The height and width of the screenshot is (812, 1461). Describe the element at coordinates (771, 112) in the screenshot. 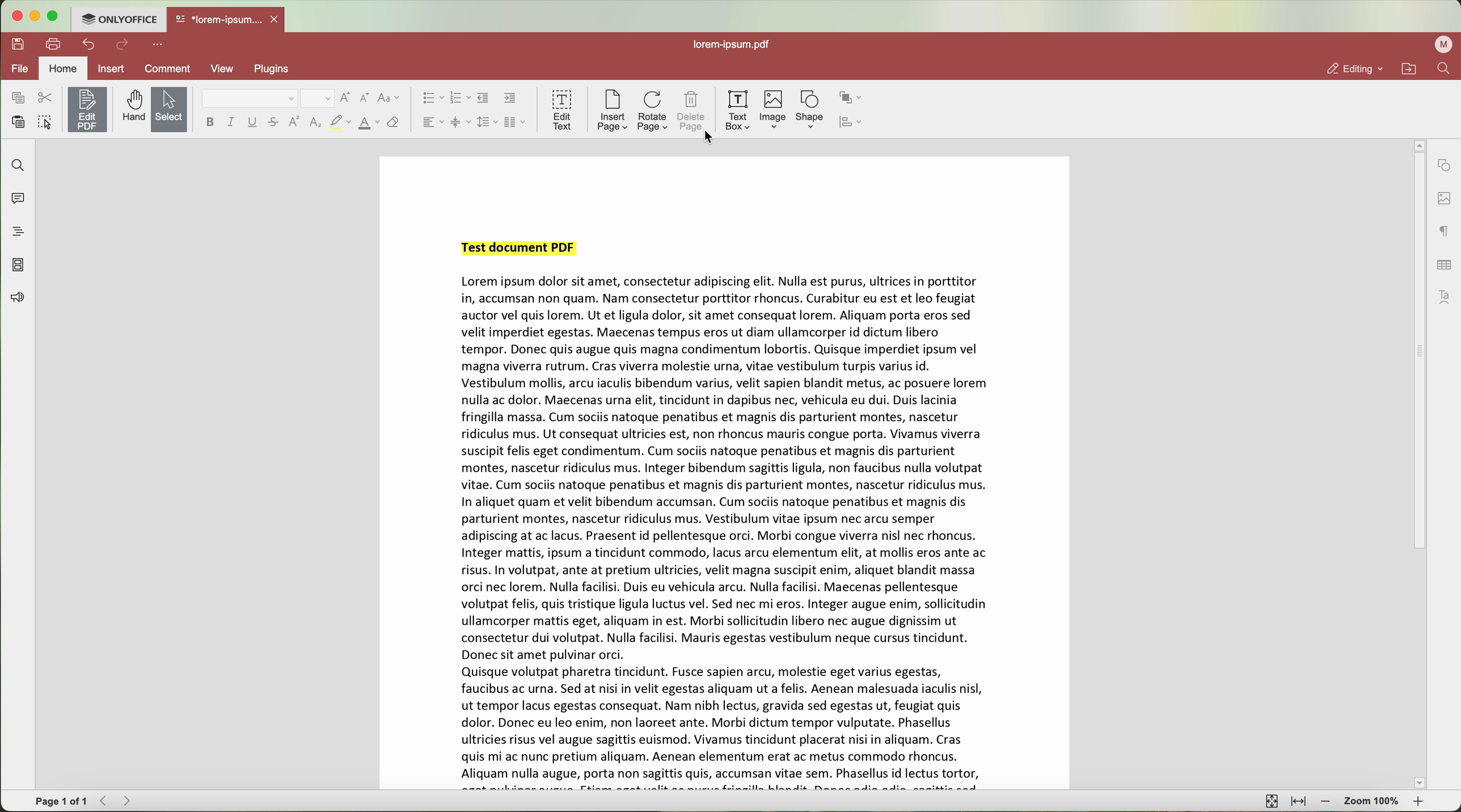

I see `image` at that location.